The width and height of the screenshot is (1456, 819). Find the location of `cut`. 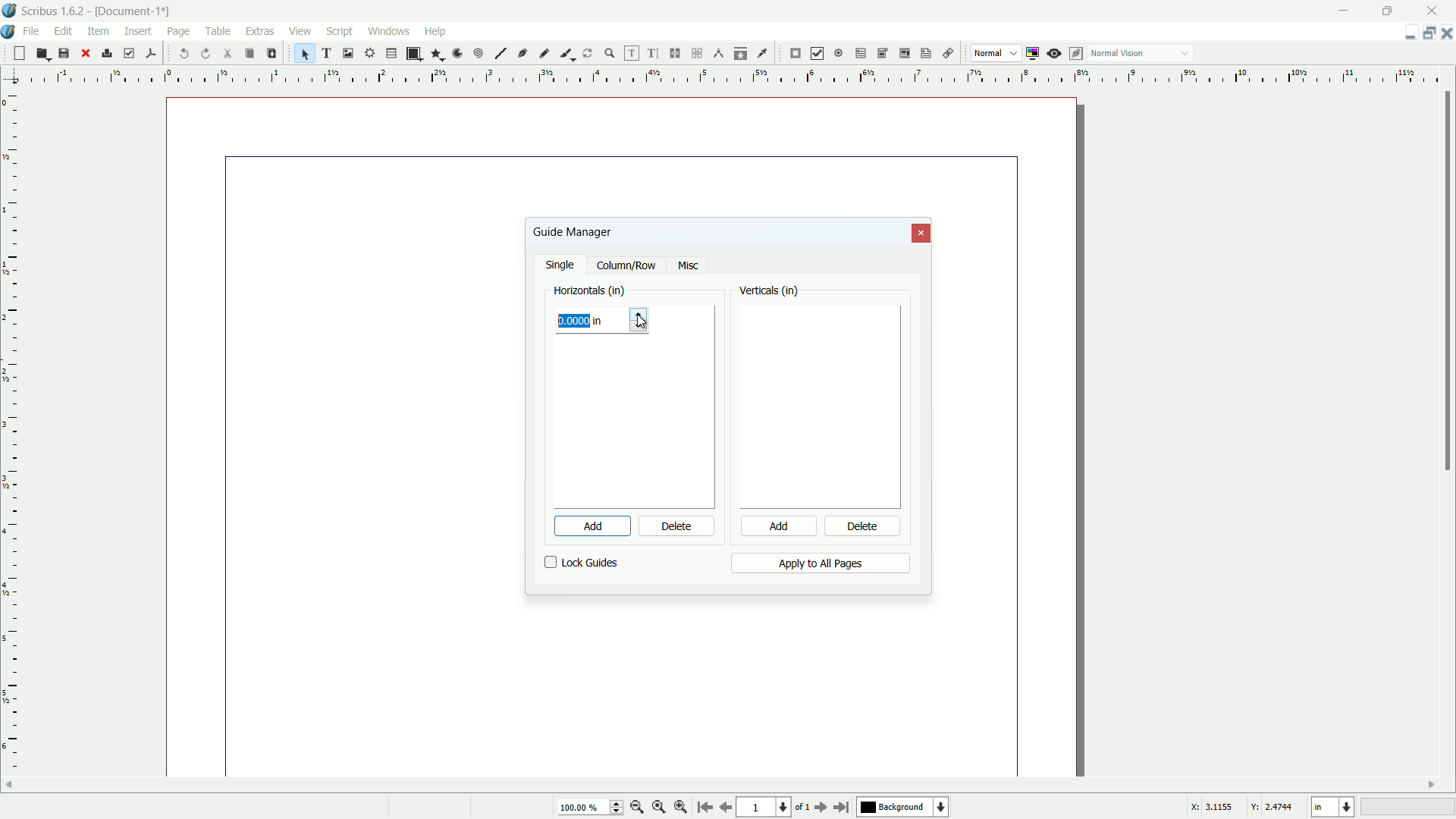

cut is located at coordinates (228, 53).